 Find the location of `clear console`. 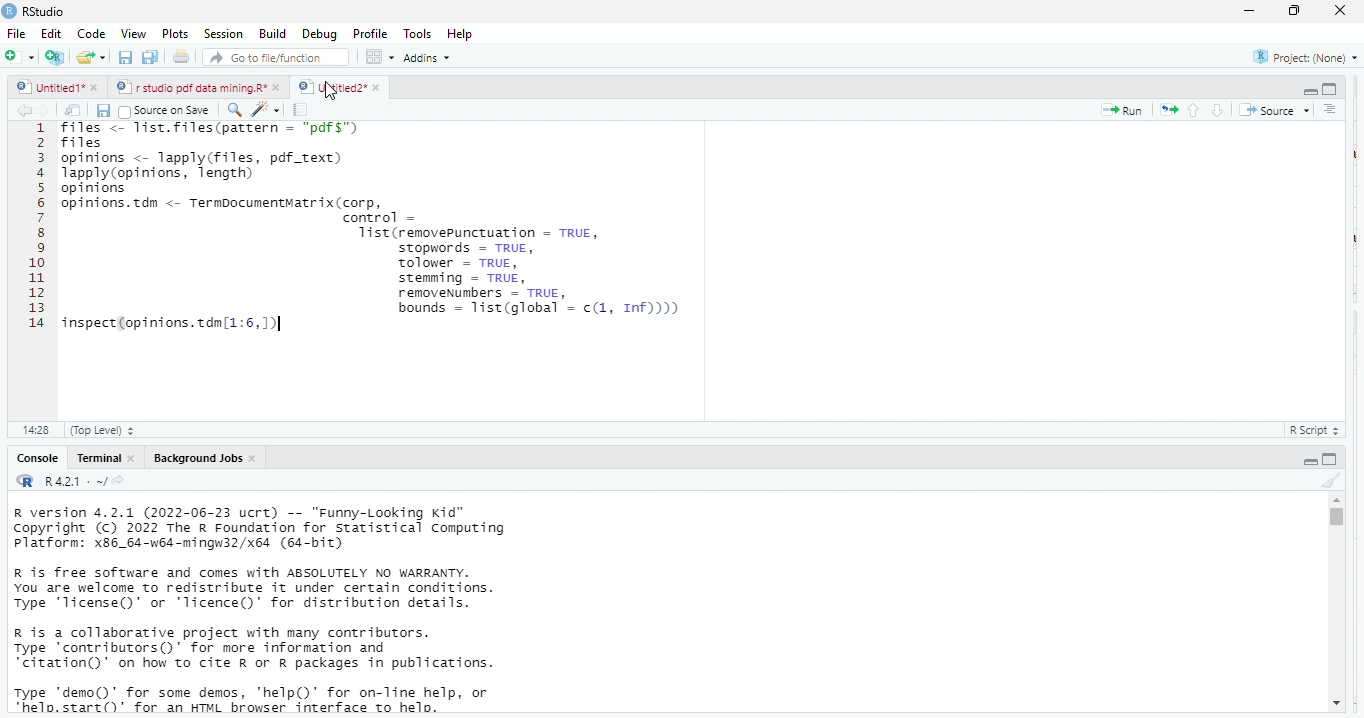

clear console is located at coordinates (1330, 478).